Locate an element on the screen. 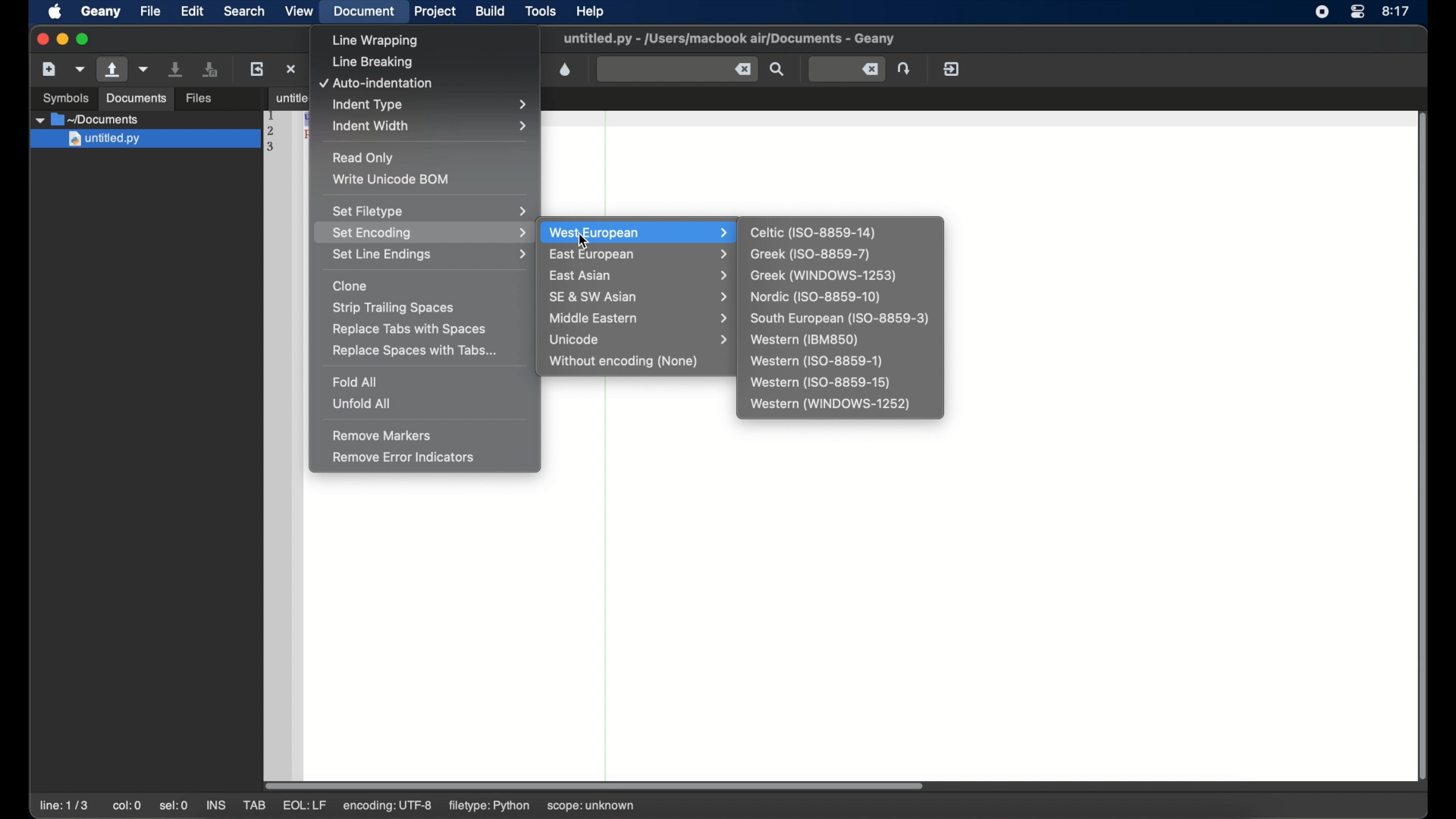 This screenshot has height=819, width=1456. line: 1/3 is located at coordinates (64, 805).